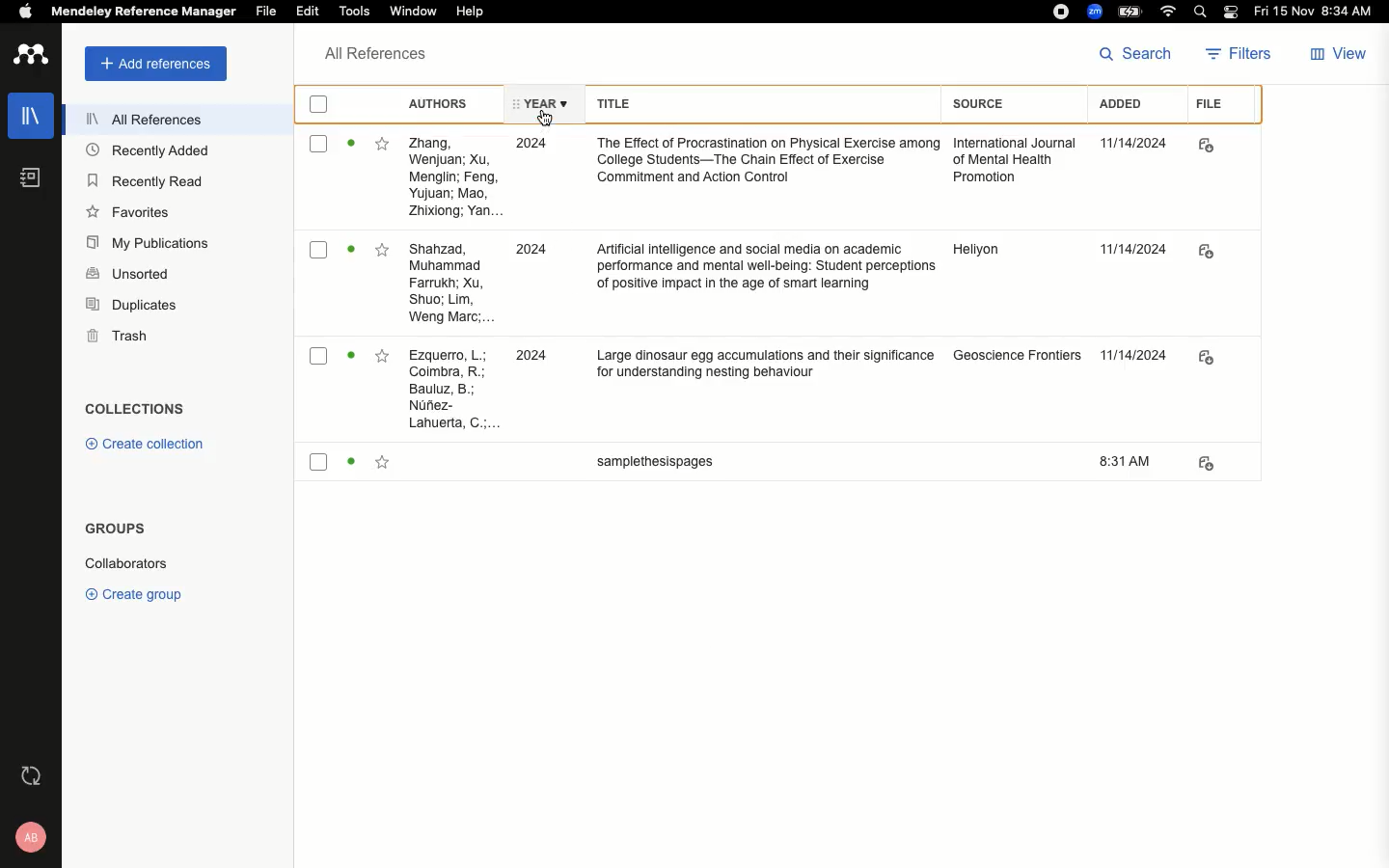 The image size is (1389, 868). I want to click on Apple logo, so click(27, 13).